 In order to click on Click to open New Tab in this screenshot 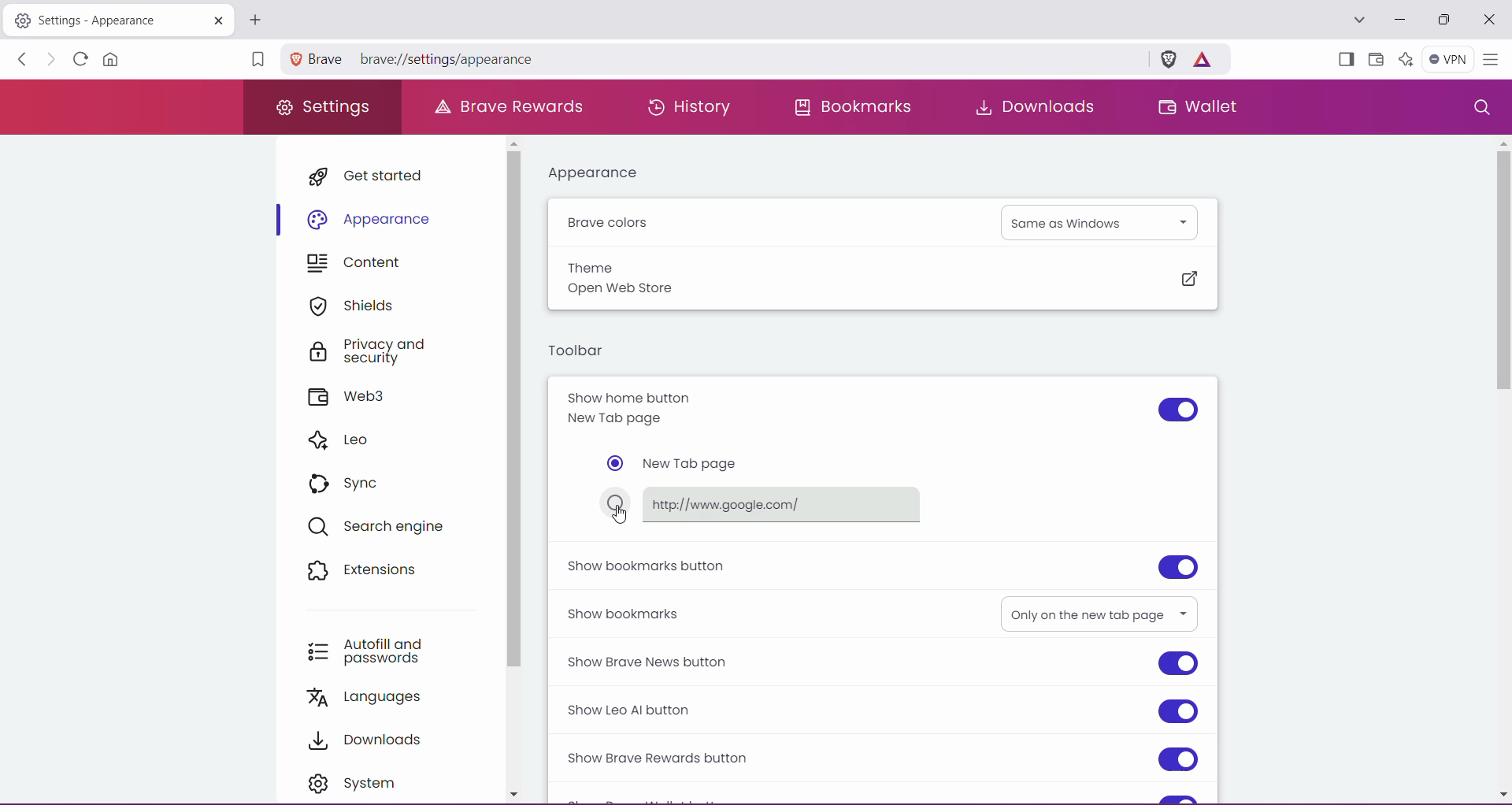, I will do `click(255, 20)`.